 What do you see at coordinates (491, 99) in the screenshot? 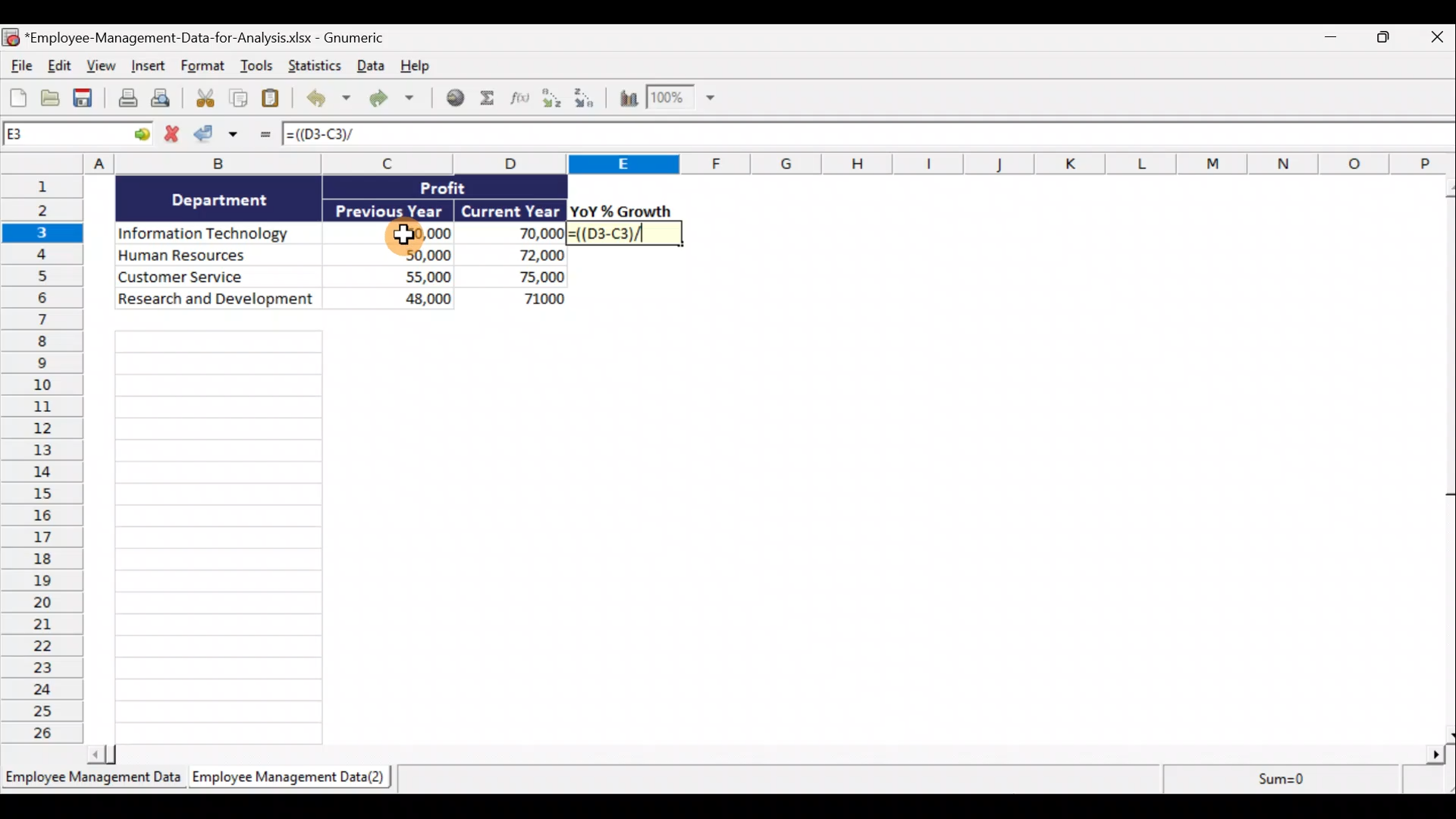
I see `Sum into the current cell` at bounding box center [491, 99].